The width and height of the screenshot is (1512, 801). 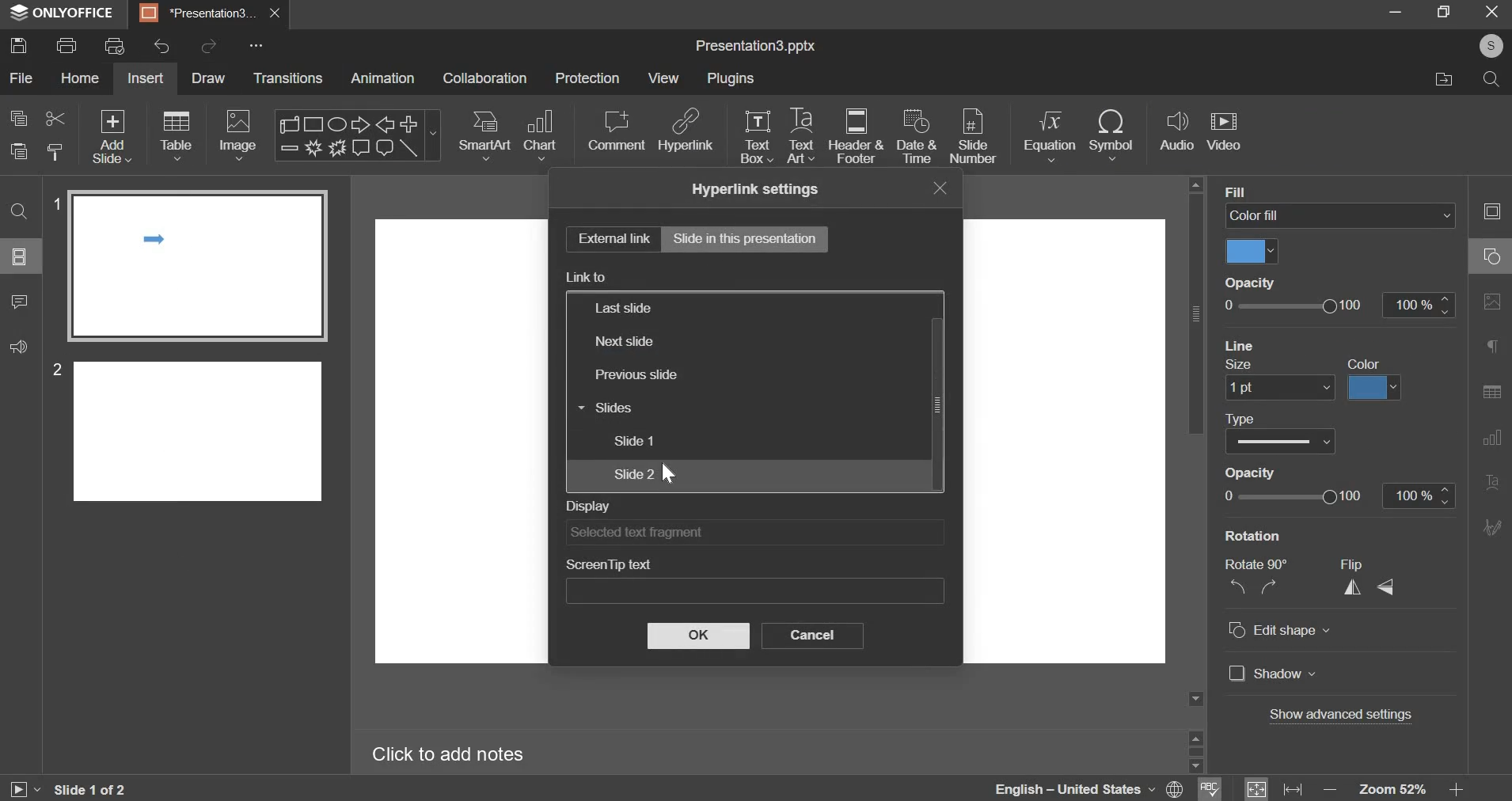 I want to click on set size, so click(x=1279, y=389).